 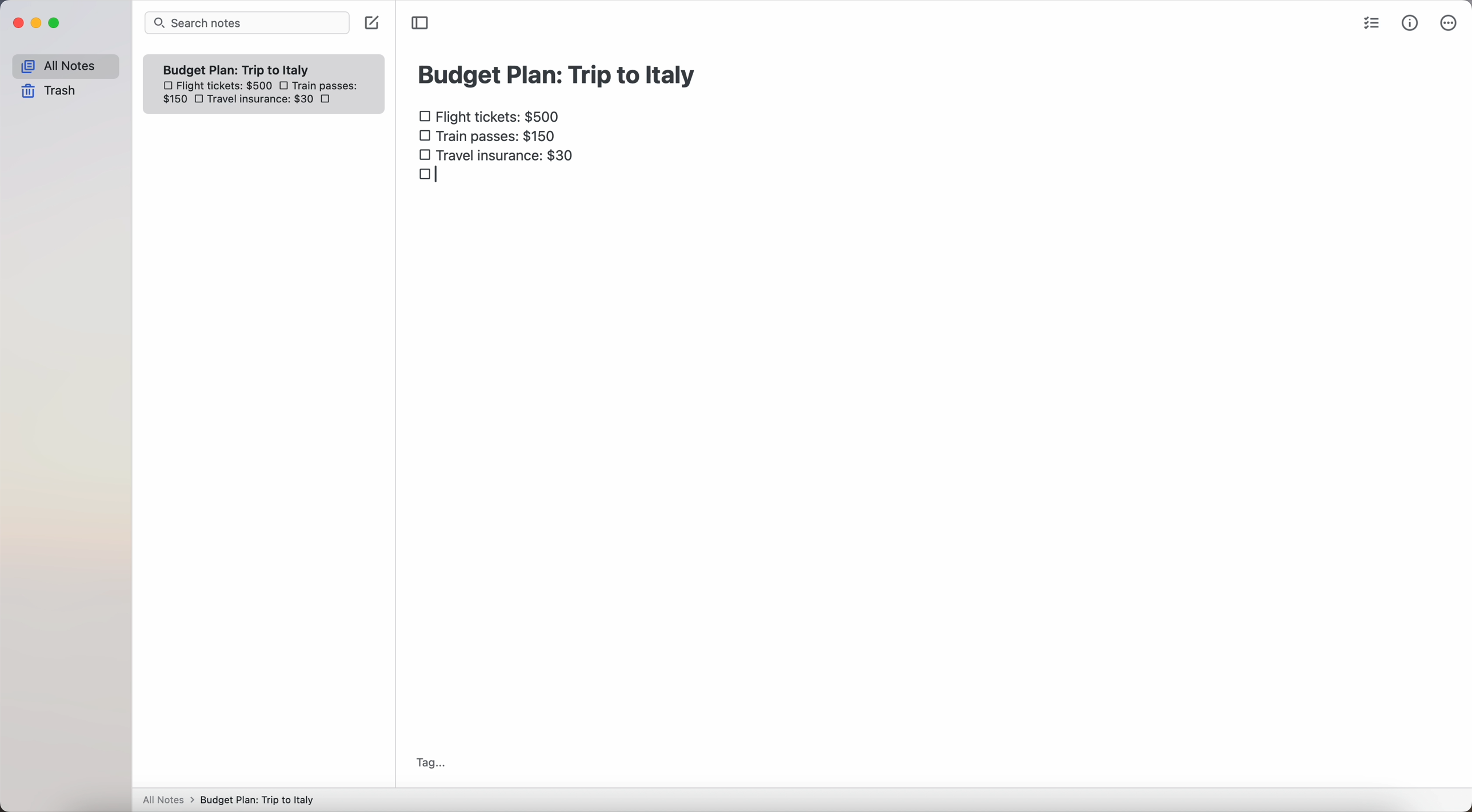 I want to click on search bar, so click(x=247, y=23).